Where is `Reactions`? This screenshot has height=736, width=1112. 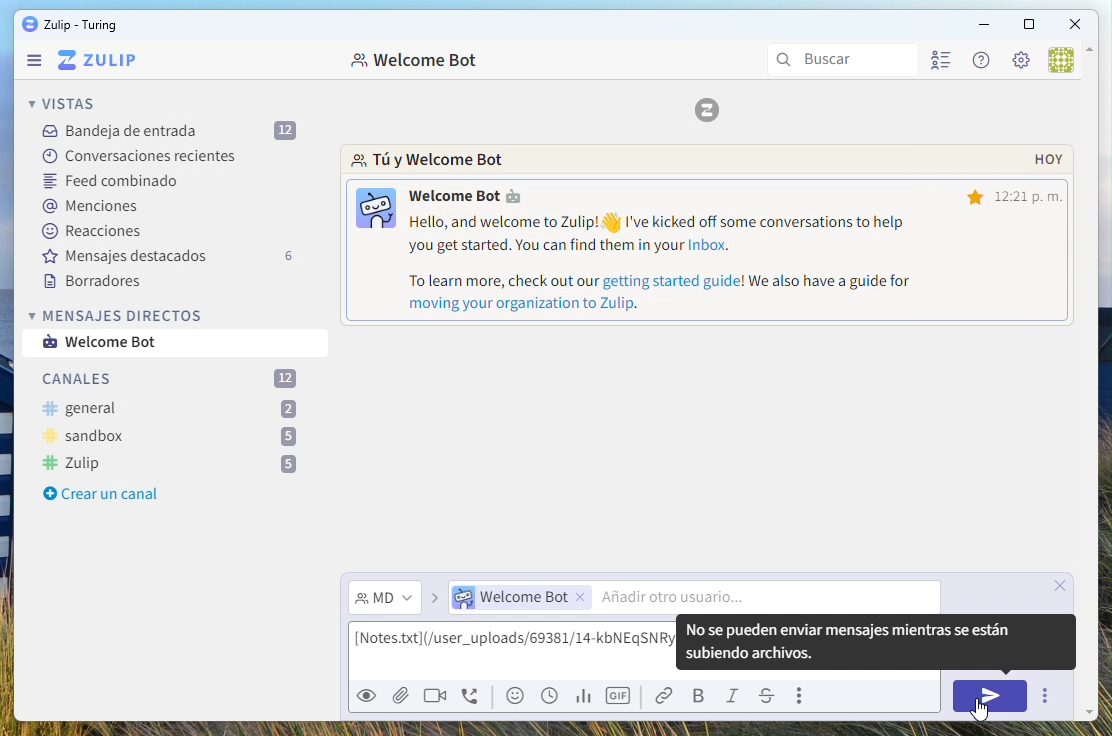 Reactions is located at coordinates (98, 230).